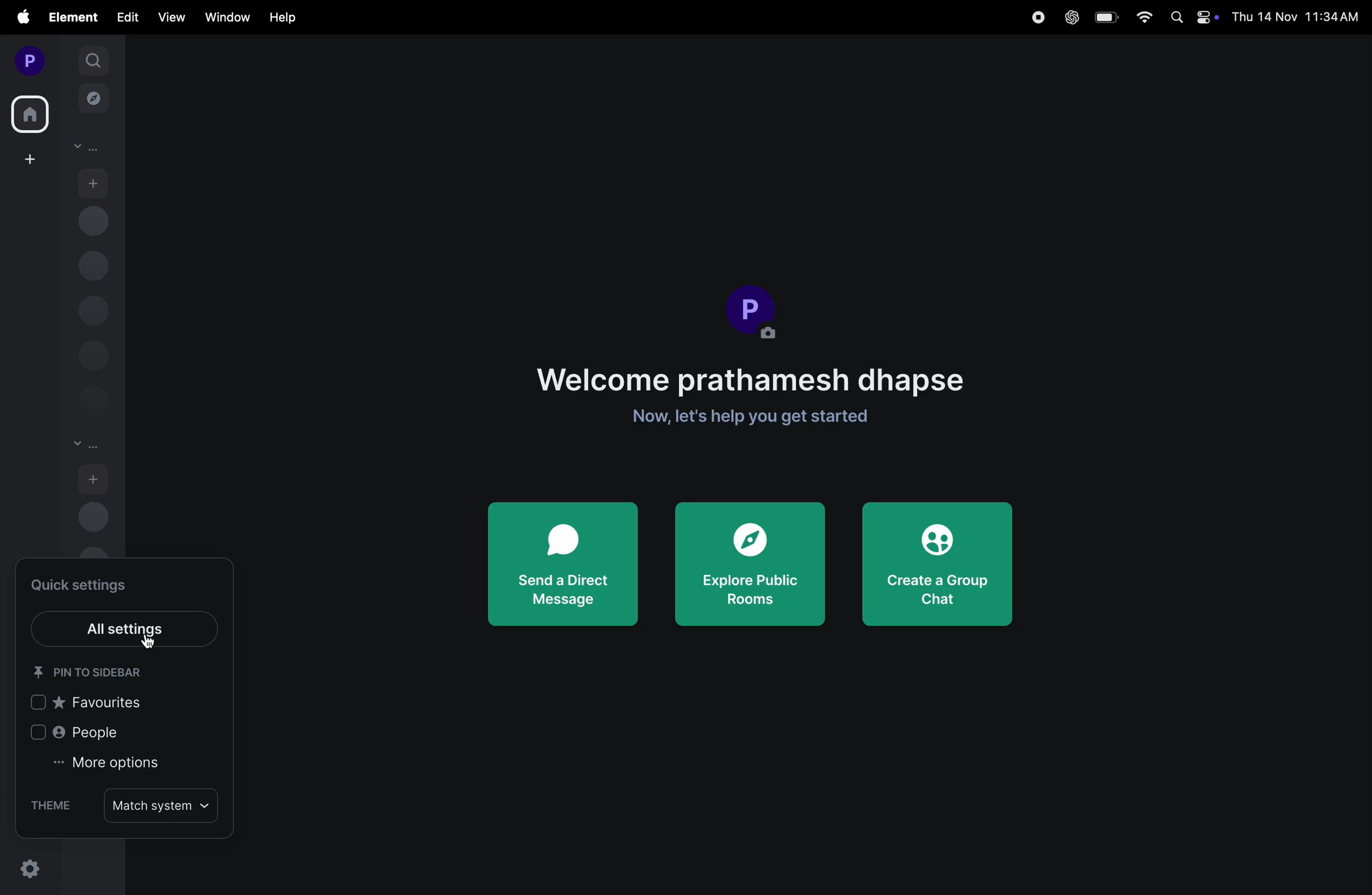 The image size is (1372, 895). I want to click on favourites, so click(92, 705).